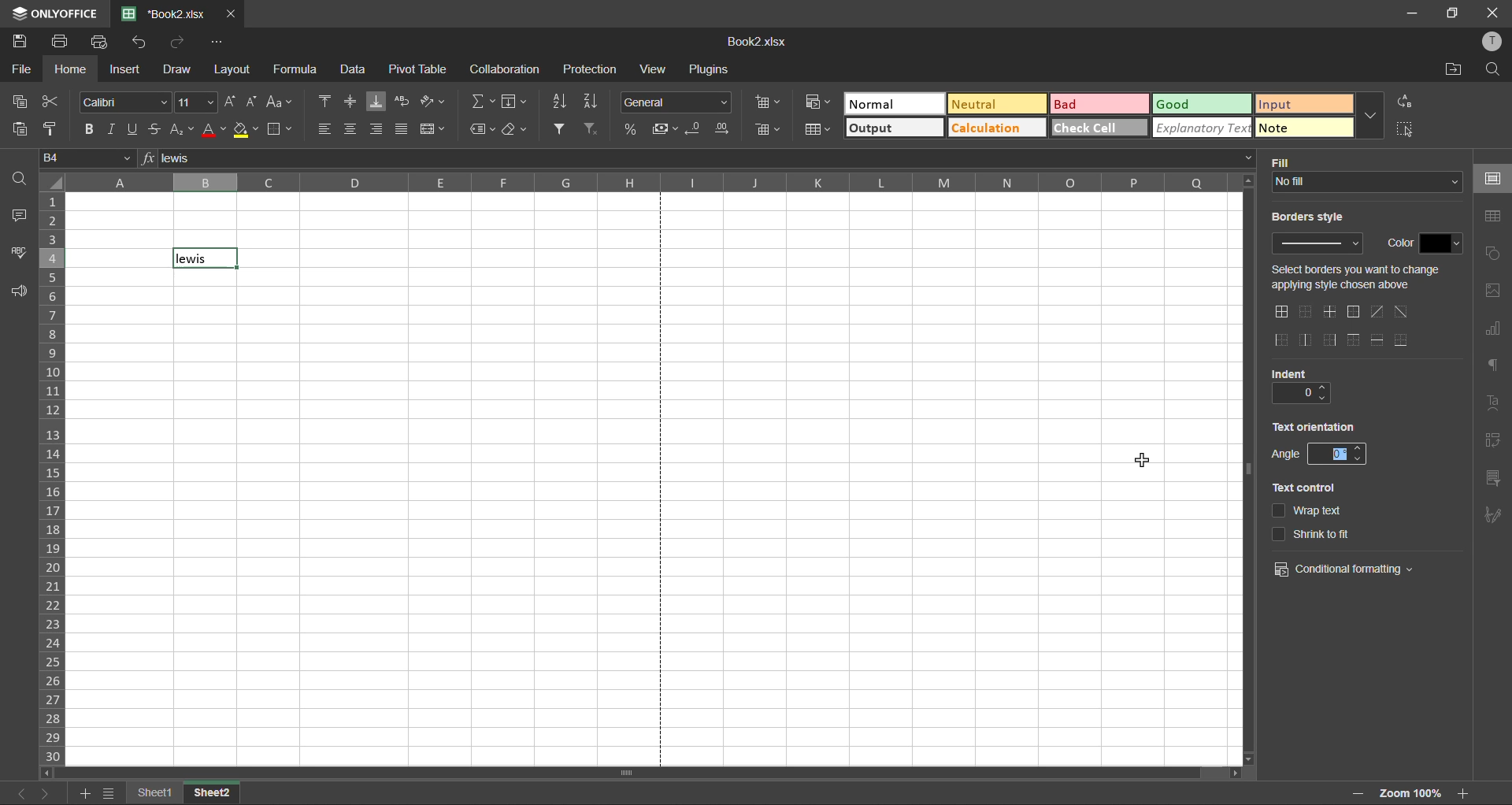 The height and width of the screenshot is (805, 1512). Describe the element at coordinates (232, 69) in the screenshot. I see `layout` at that location.